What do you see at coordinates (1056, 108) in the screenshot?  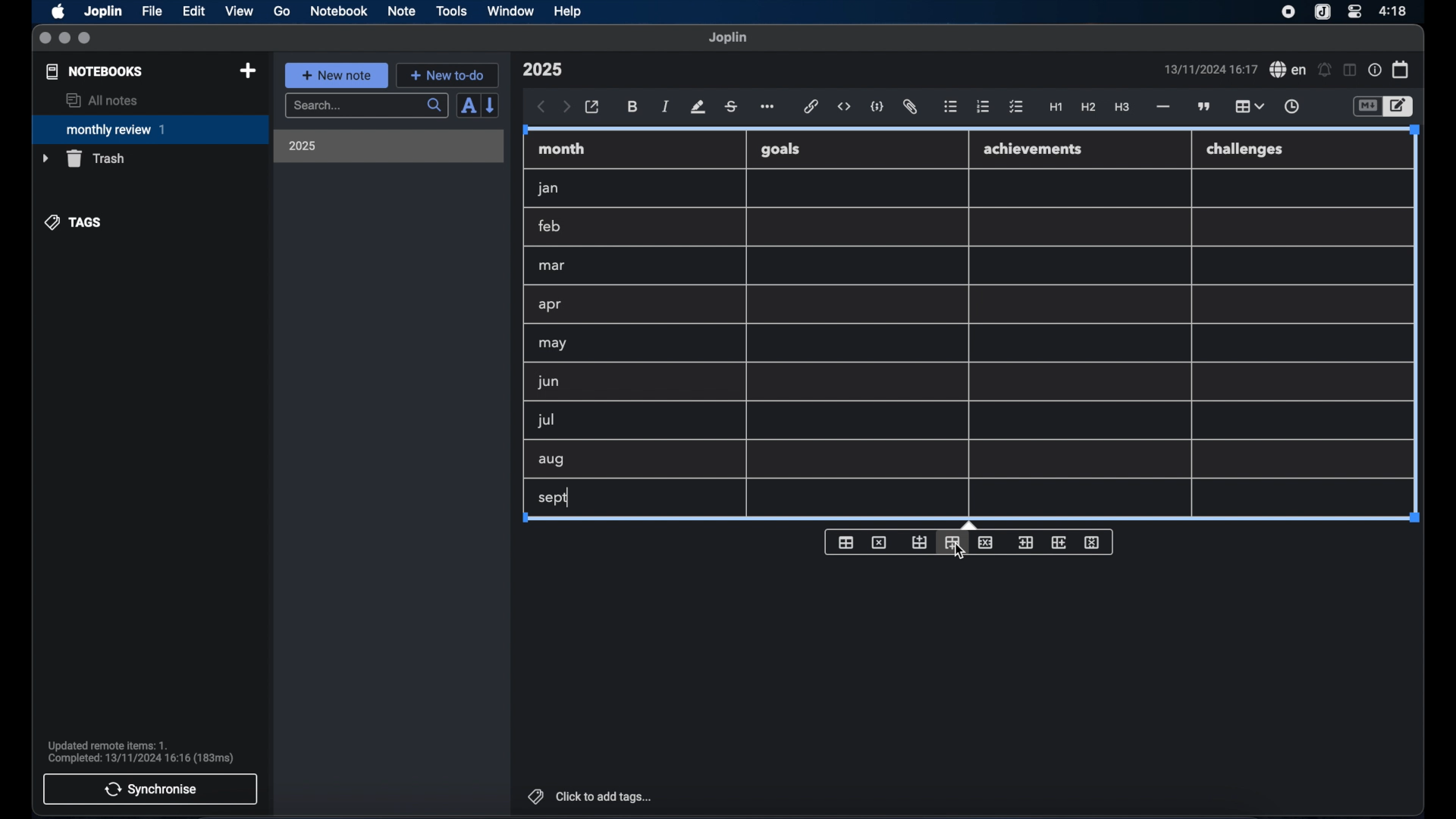 I see `heading 1` at bounding box center [1056, 108].